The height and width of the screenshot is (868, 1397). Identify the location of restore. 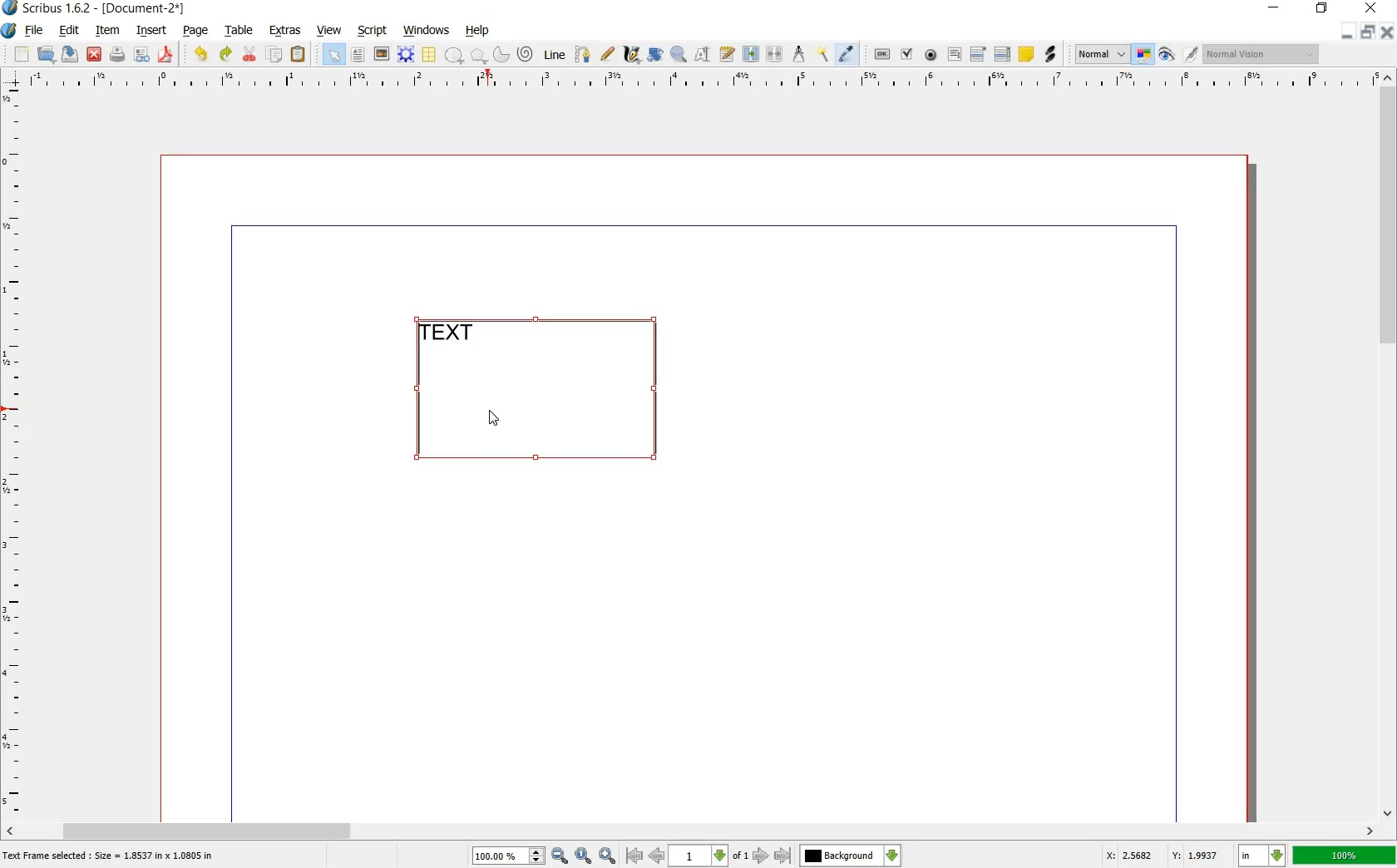
(1367, 33).